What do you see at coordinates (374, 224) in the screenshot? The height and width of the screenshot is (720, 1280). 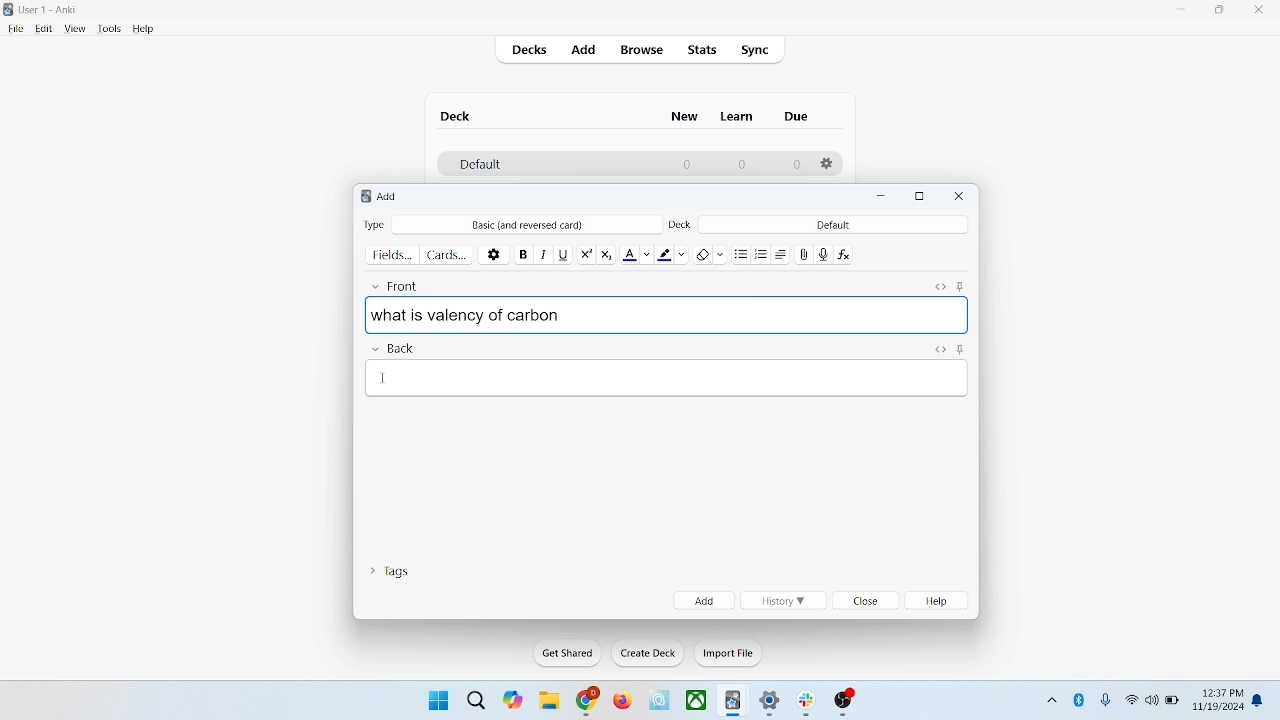 I see `type` at bounding box center [374, 224].